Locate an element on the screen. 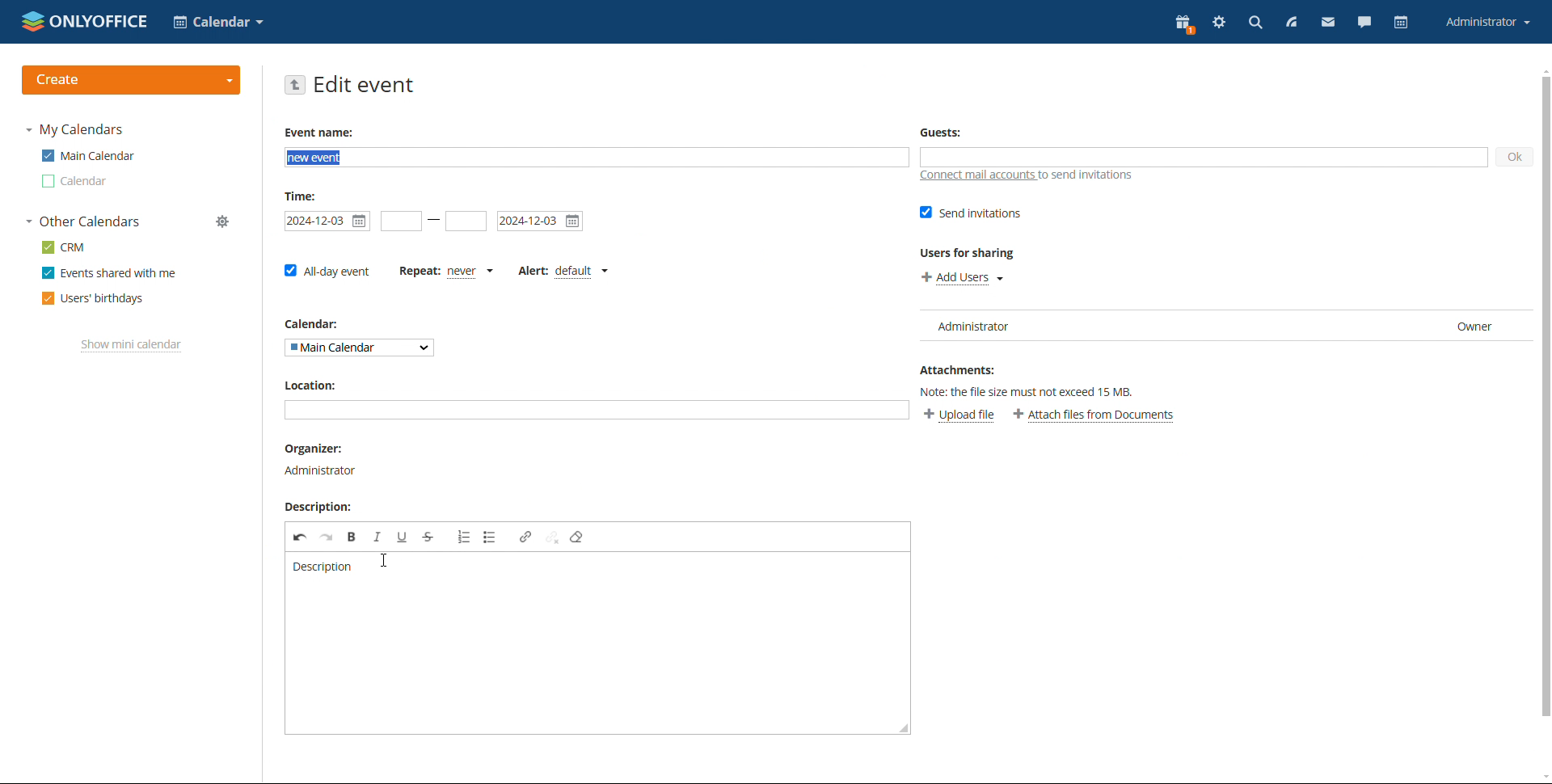 The image size is (1552, 784). search is located at coordinates (1254, 23).